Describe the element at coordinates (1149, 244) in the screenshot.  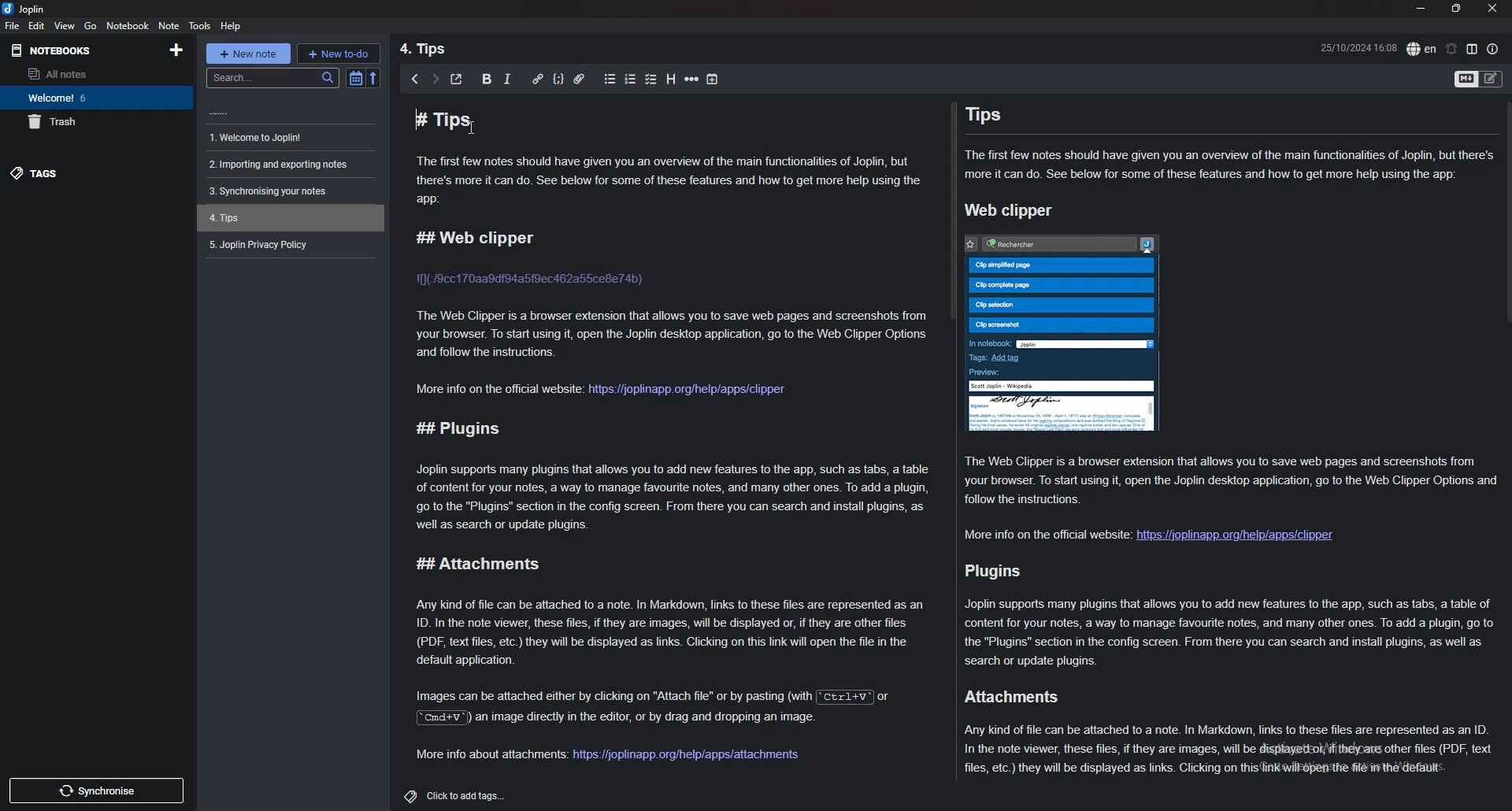
I see `Profile` at that location.